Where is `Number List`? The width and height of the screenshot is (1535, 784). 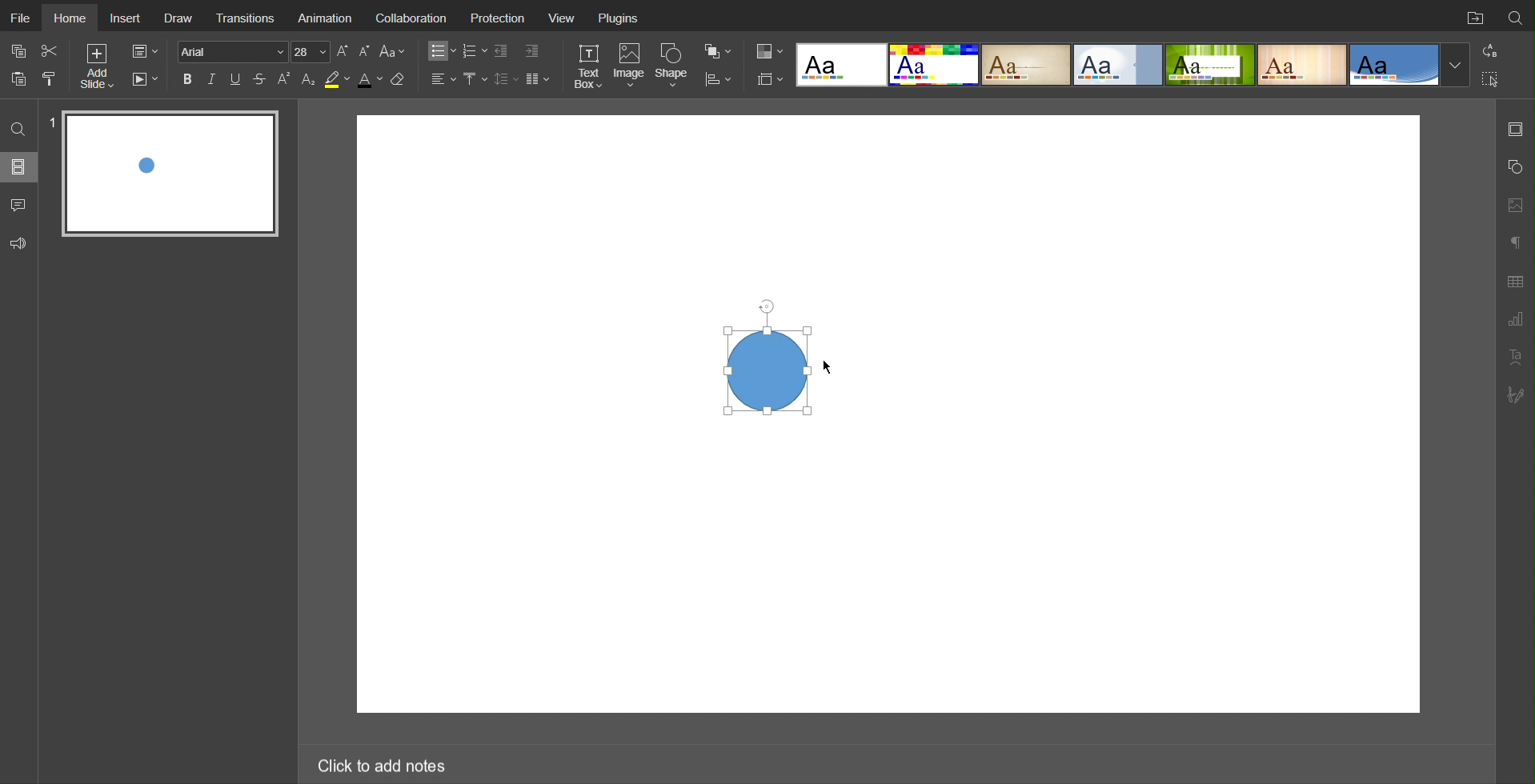 Number List is located at coordinates (474, 51).